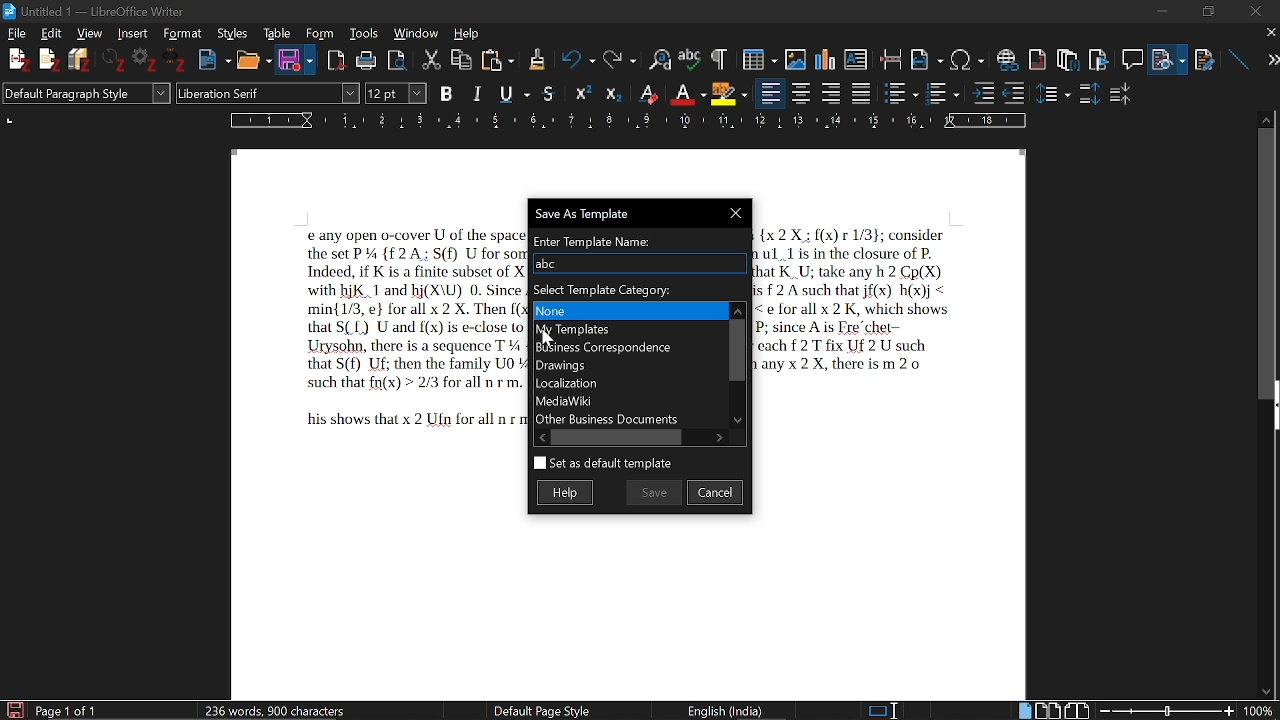 This screenshot has width=1280, height=720. I want to click on Cut, so click(433, 58).